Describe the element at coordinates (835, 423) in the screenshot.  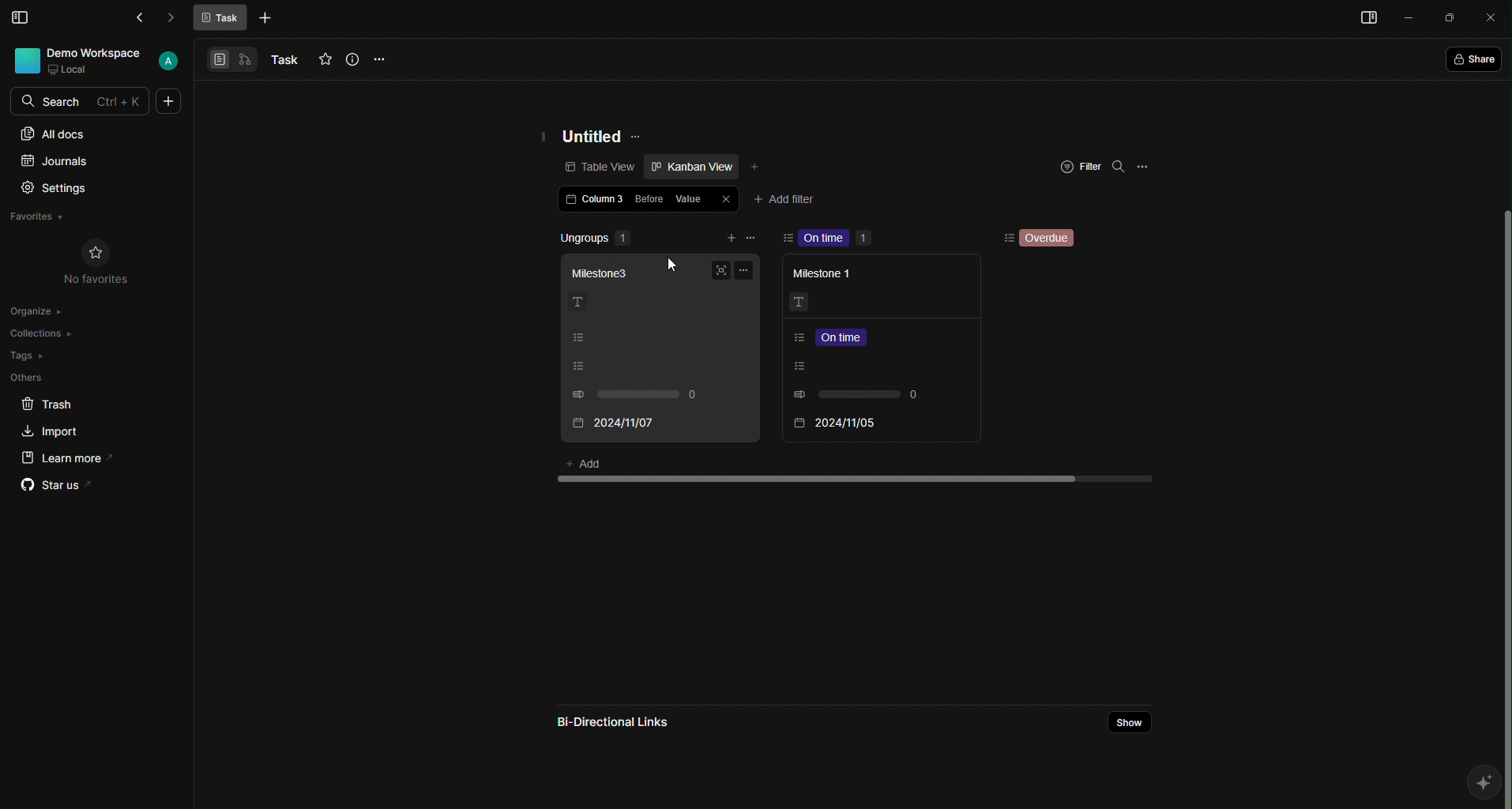
I see `2024/11/07` at that location.